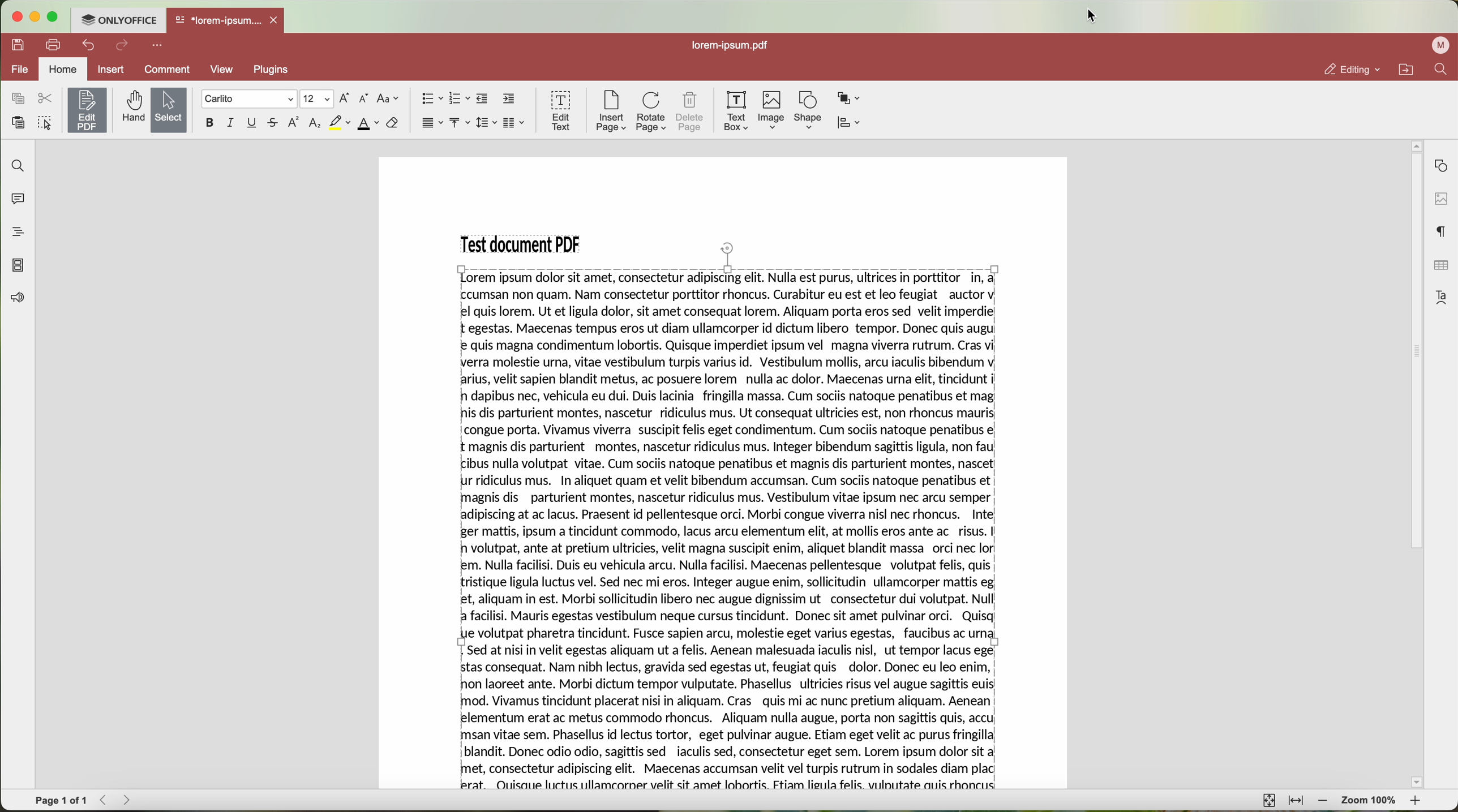  What do you see at coordinates (56, 45) in the screenshot?
I see `print` at bounding box center [56, 45].